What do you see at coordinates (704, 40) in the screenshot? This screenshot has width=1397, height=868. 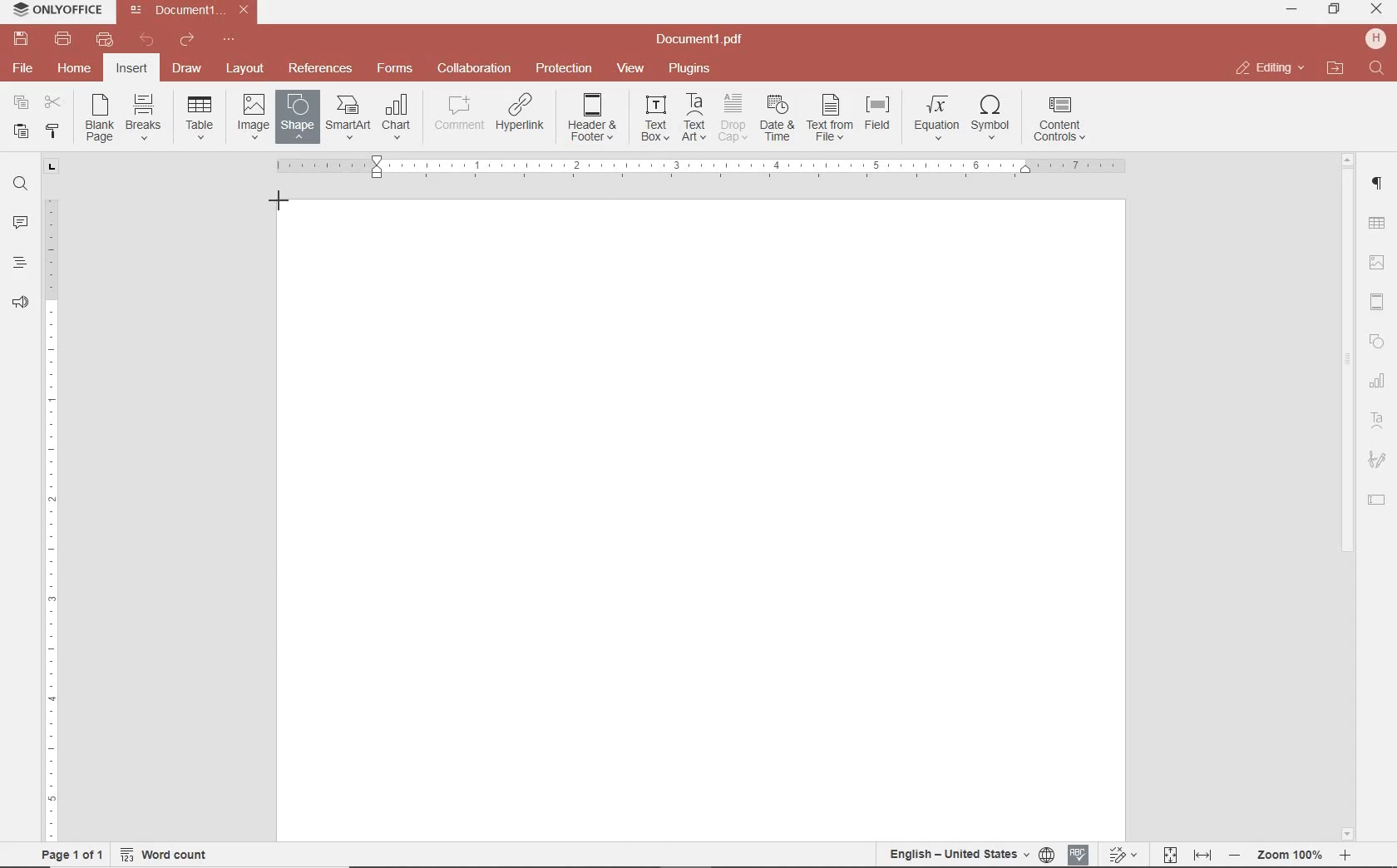 I see `file name` at bounding box center [704, 40].